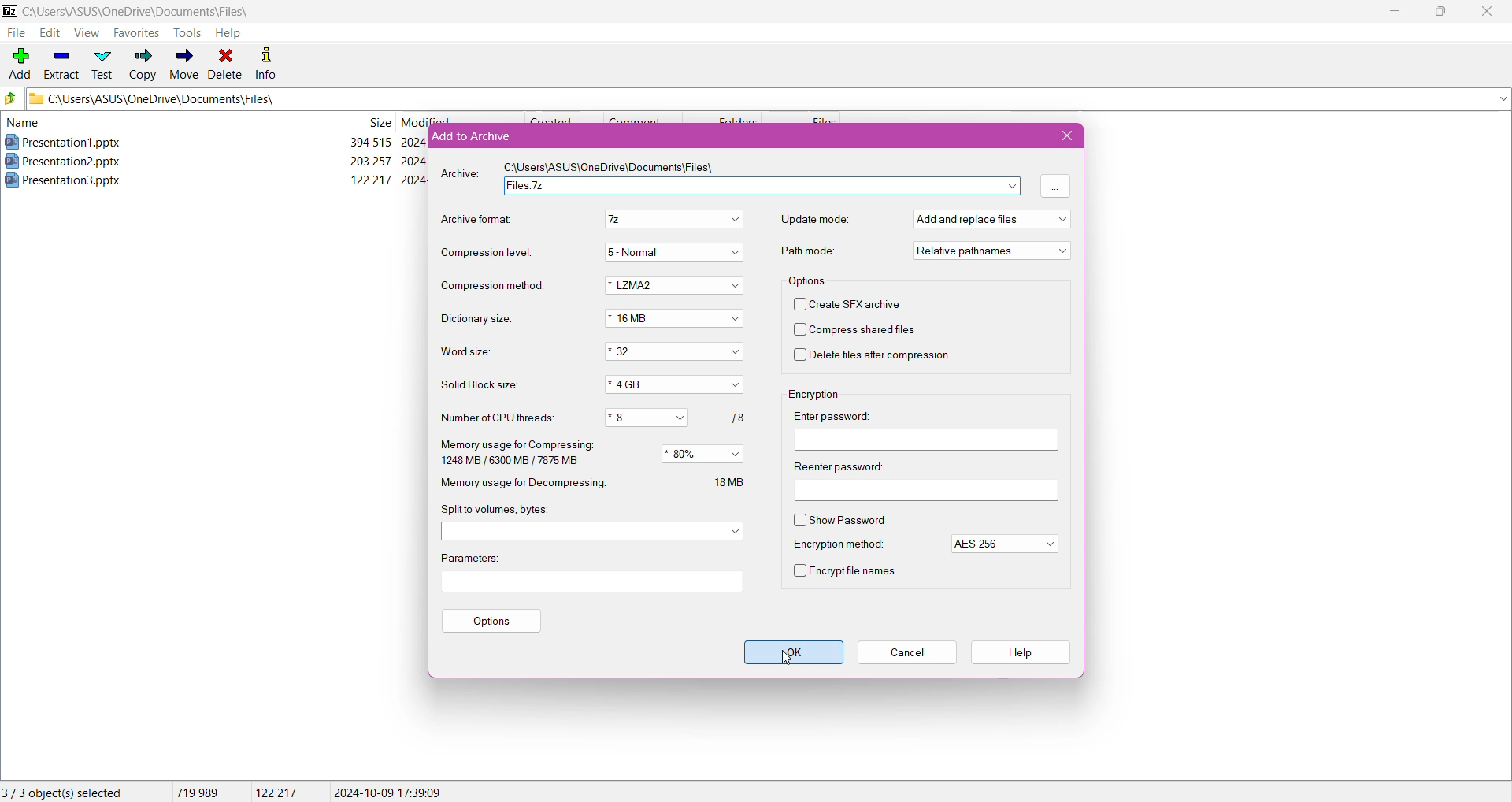 This screenshot has height=802, width=1512. Describe the element at coordinates (493, 286) in the screenshot. I see `Compression method` at that location.